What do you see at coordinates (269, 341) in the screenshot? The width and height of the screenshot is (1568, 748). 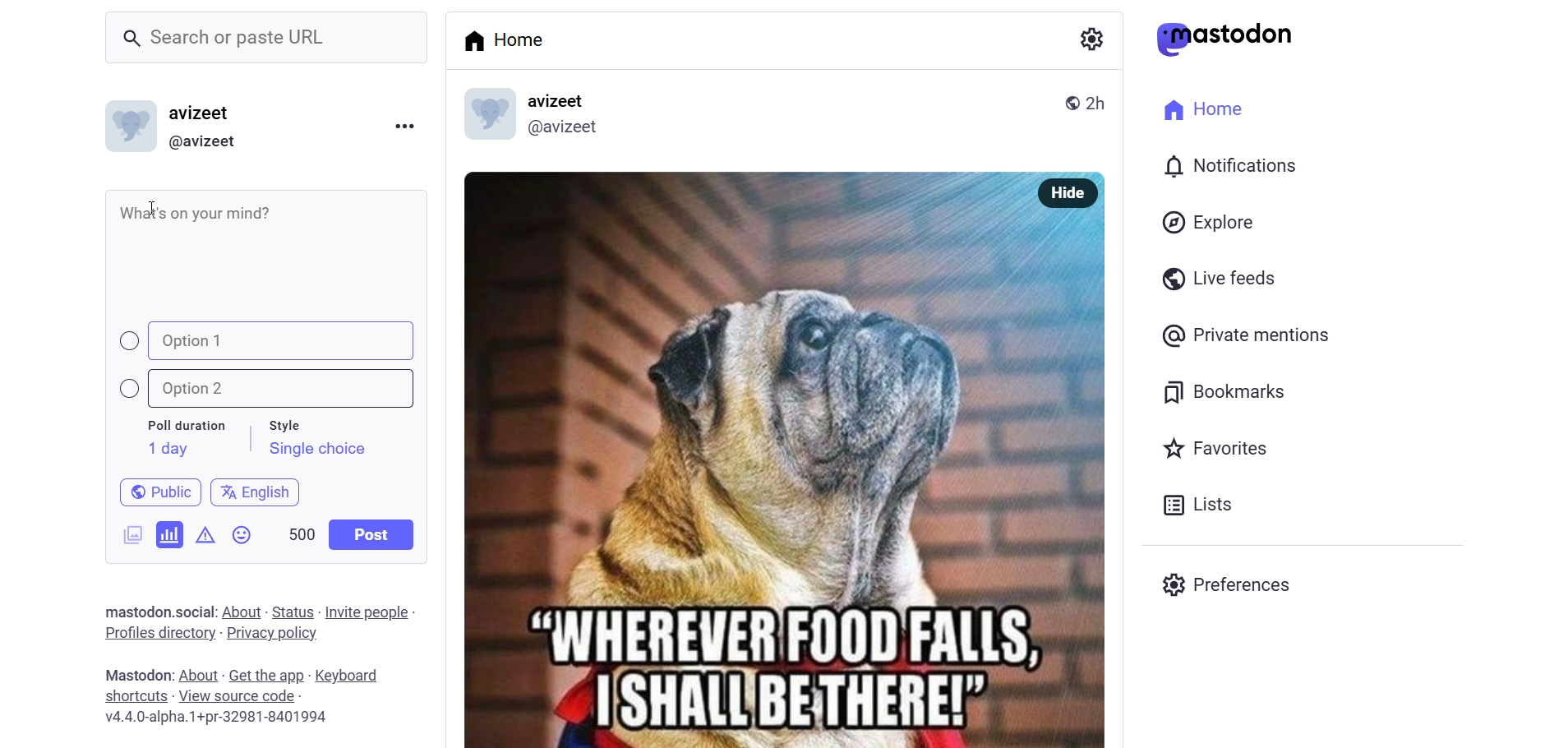 I see `option 1` at bounding box center [269, 341].